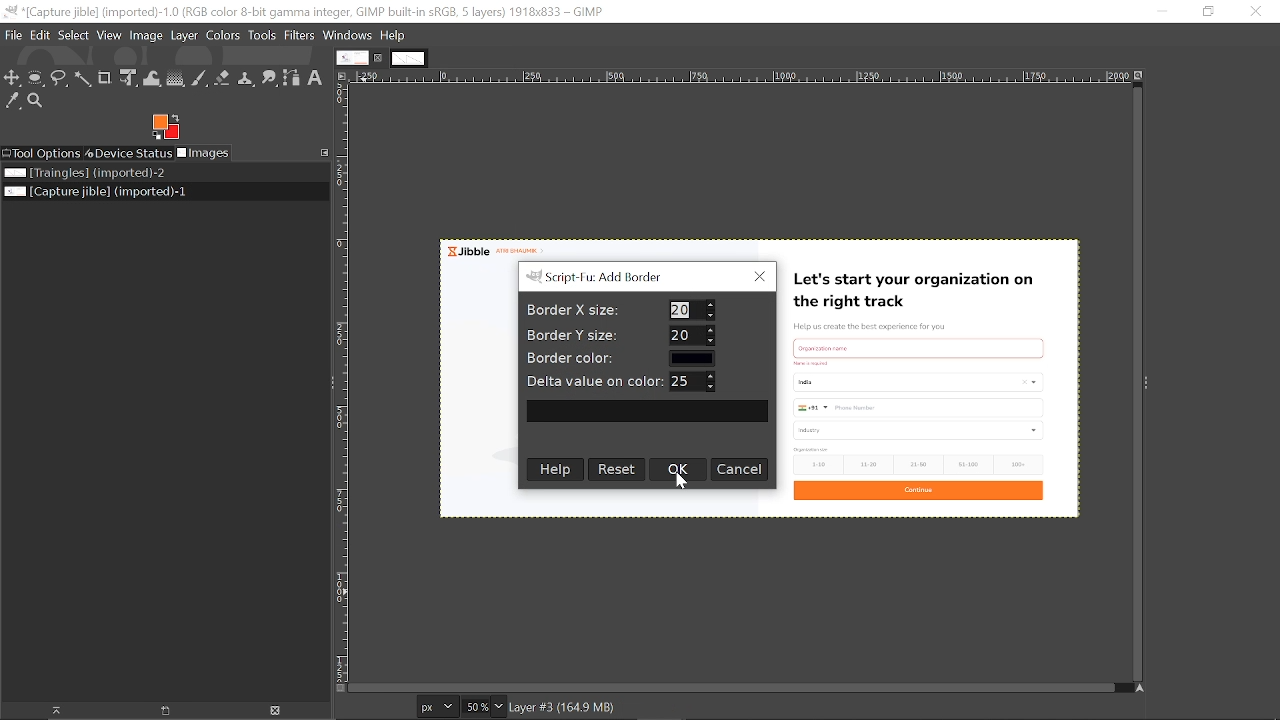 The width and height of the screenshot is (1280, 720). What do you see at coordinates (921, 407) in the screenshot?
I see `Phone number` at bounding box center [921, 407].